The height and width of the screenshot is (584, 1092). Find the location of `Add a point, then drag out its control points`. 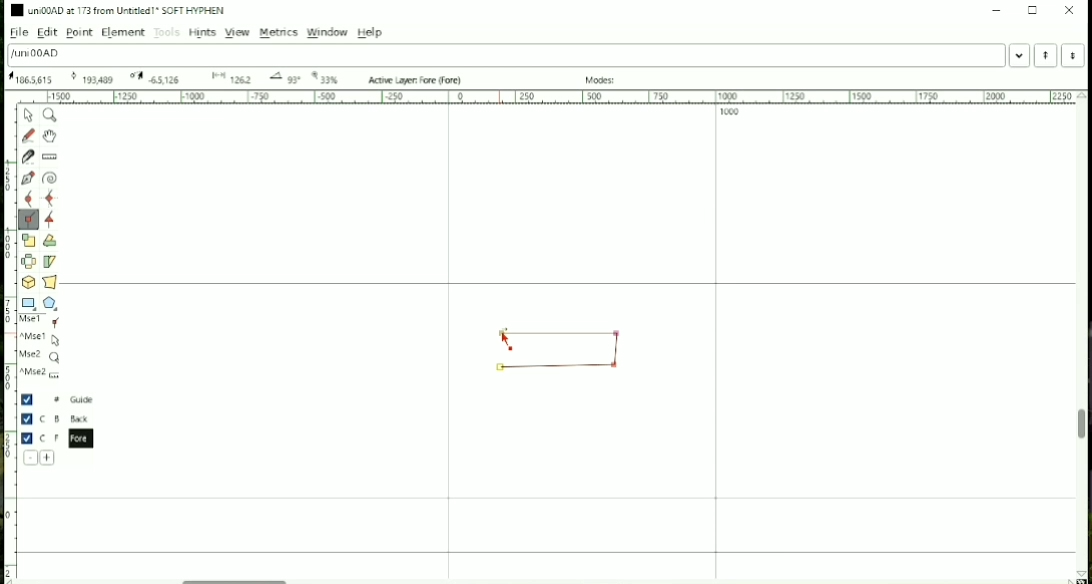

Add a point, then drag out its control points is located at coordinates (29, 178).